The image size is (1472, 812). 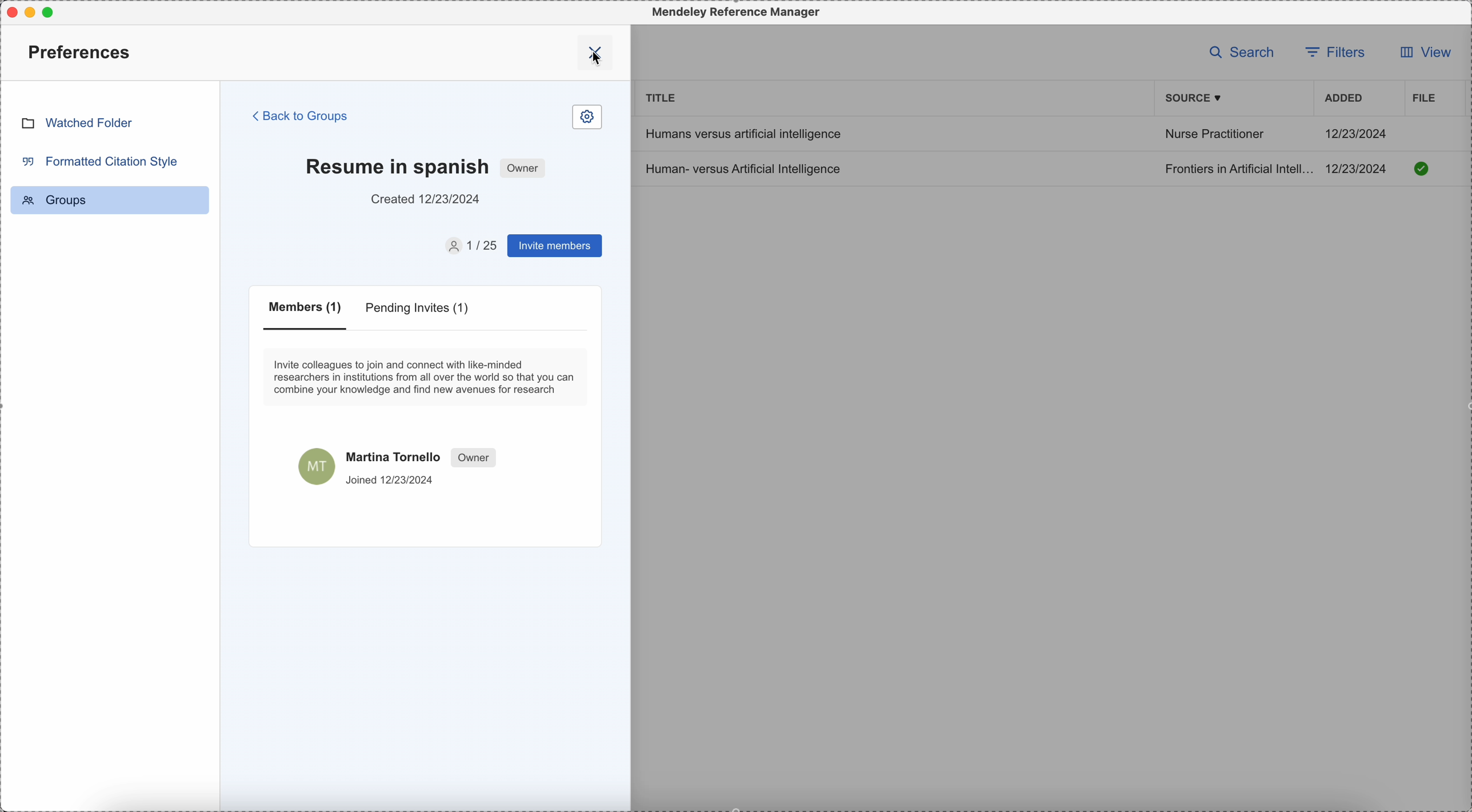 I want to click on Martina Tornello, so click(x=399, y=465).